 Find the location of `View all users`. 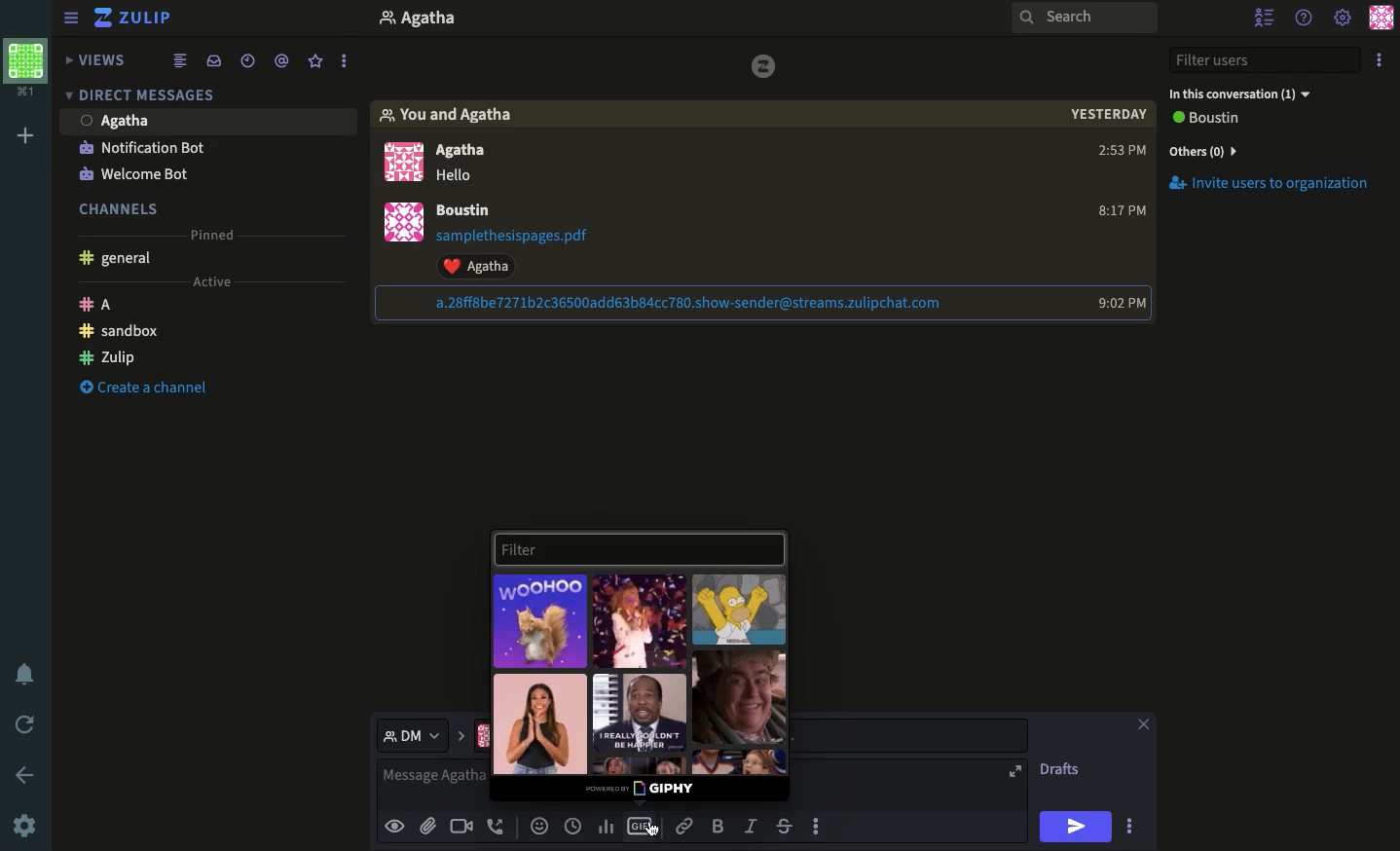

View all users is located at coordinates (1221, 120).